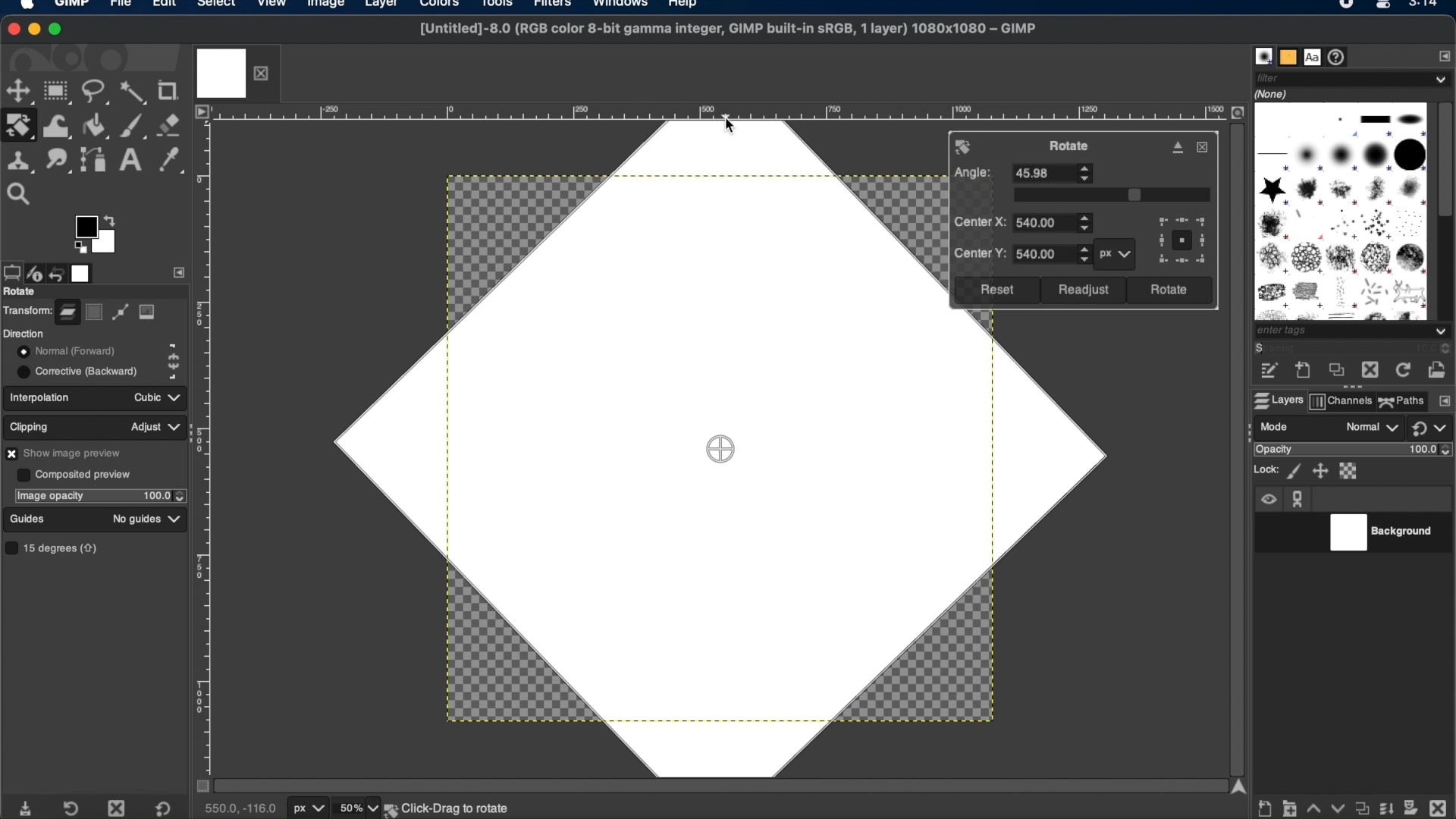 The width and height of the screenshot is (1456, 819). What do you see at coordinates (108, 249) in the screenshot?
I see `active background color` at bounding box center [108, 249].